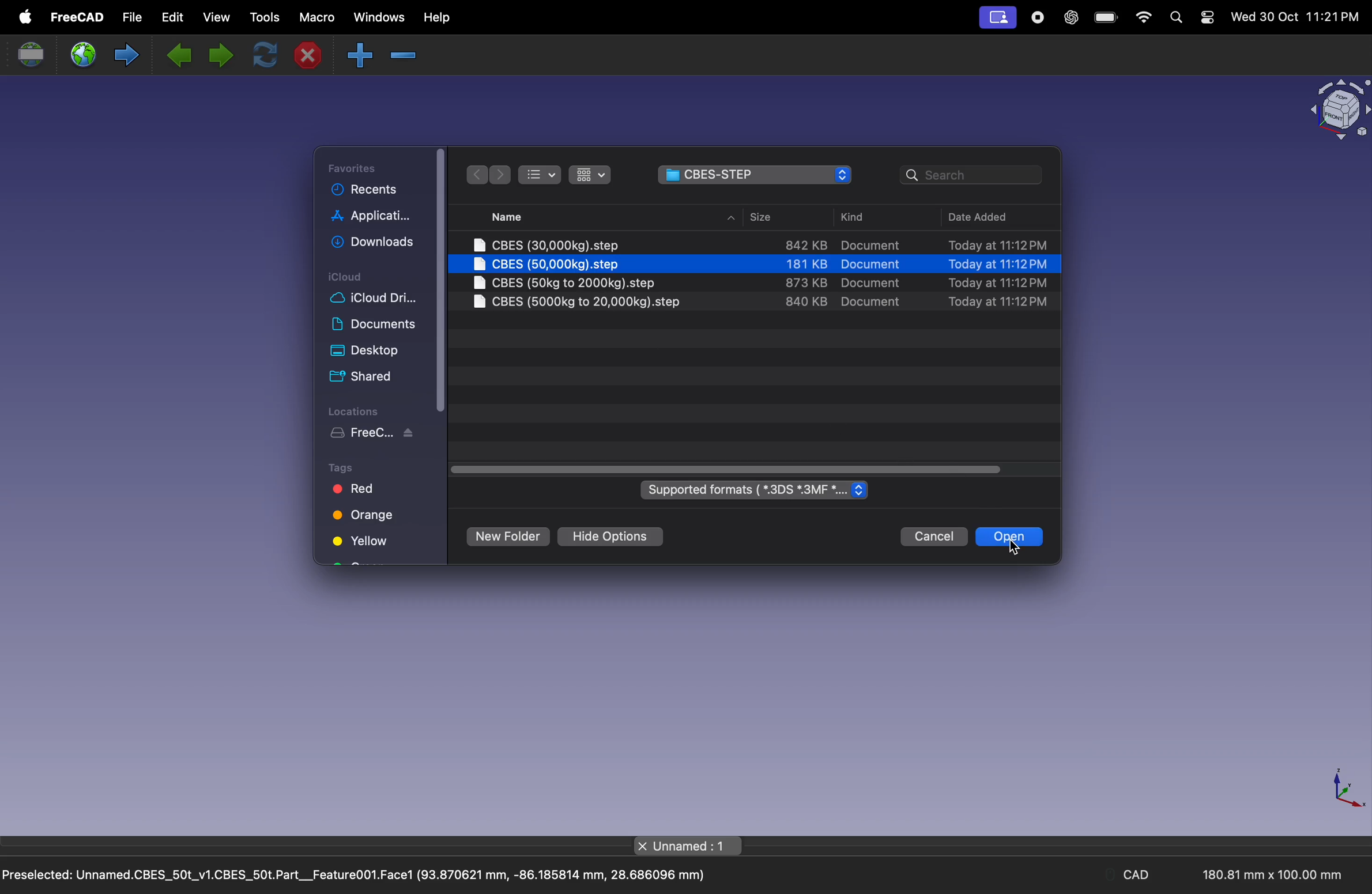 This screenshot has width=1372, height=894. Describe the element at coordinates (756, 246) in the screenshot. I see `step file 1` at that location.